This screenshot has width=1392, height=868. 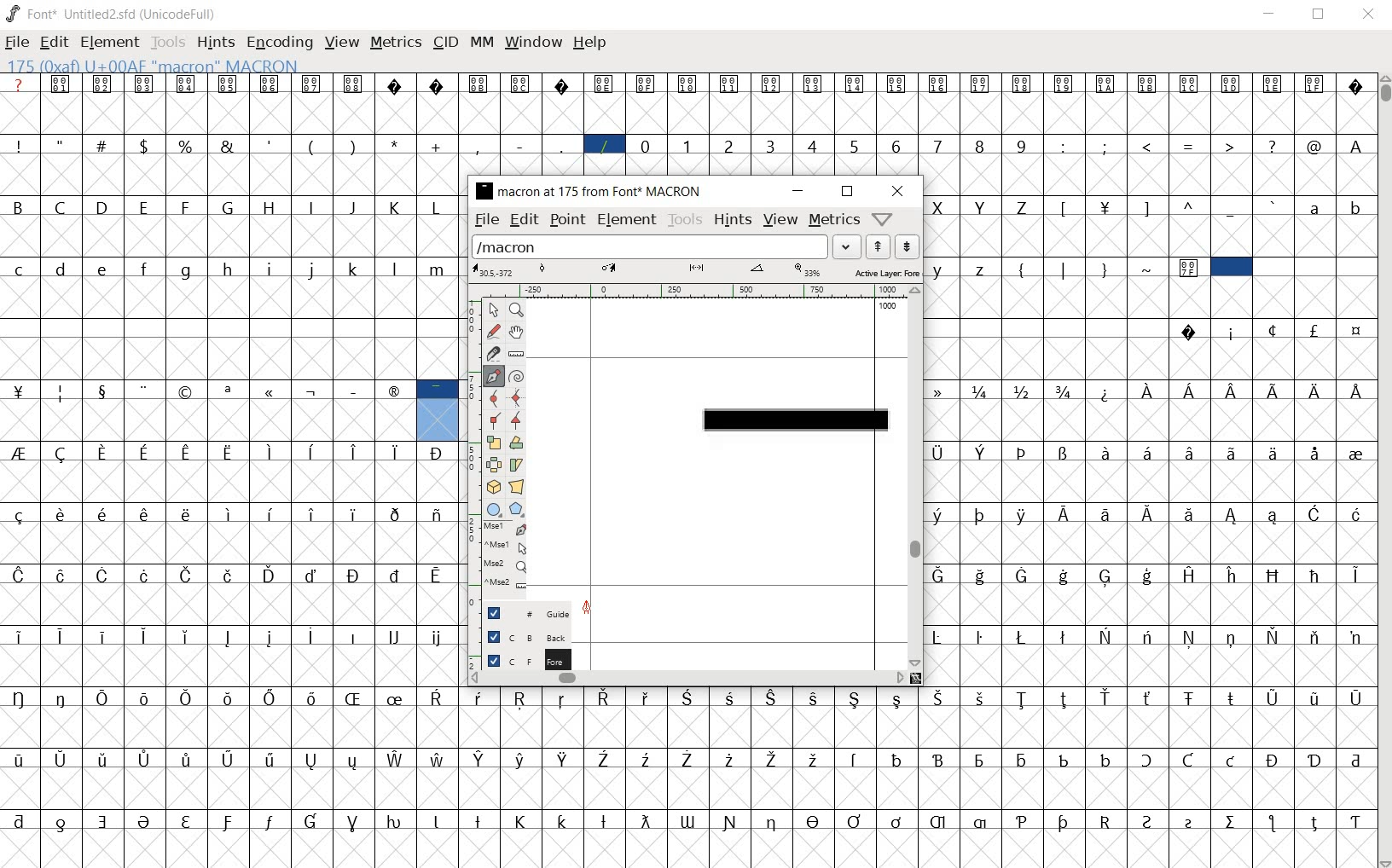 What do you see at coordinates (1024, 576) in the screenshot?
I see `Symbol` at bounding box center [1024, 576].